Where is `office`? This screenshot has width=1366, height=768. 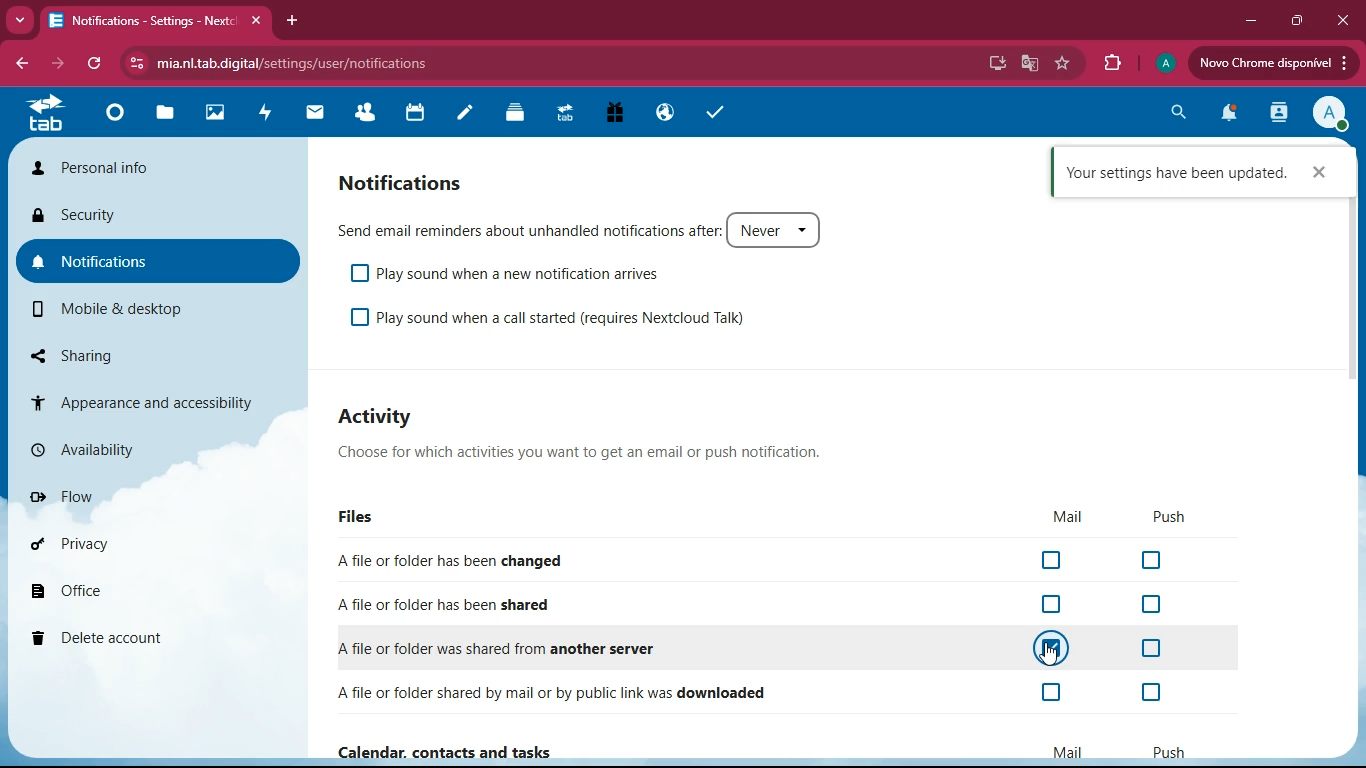 office is located at coordinates (128, 591).